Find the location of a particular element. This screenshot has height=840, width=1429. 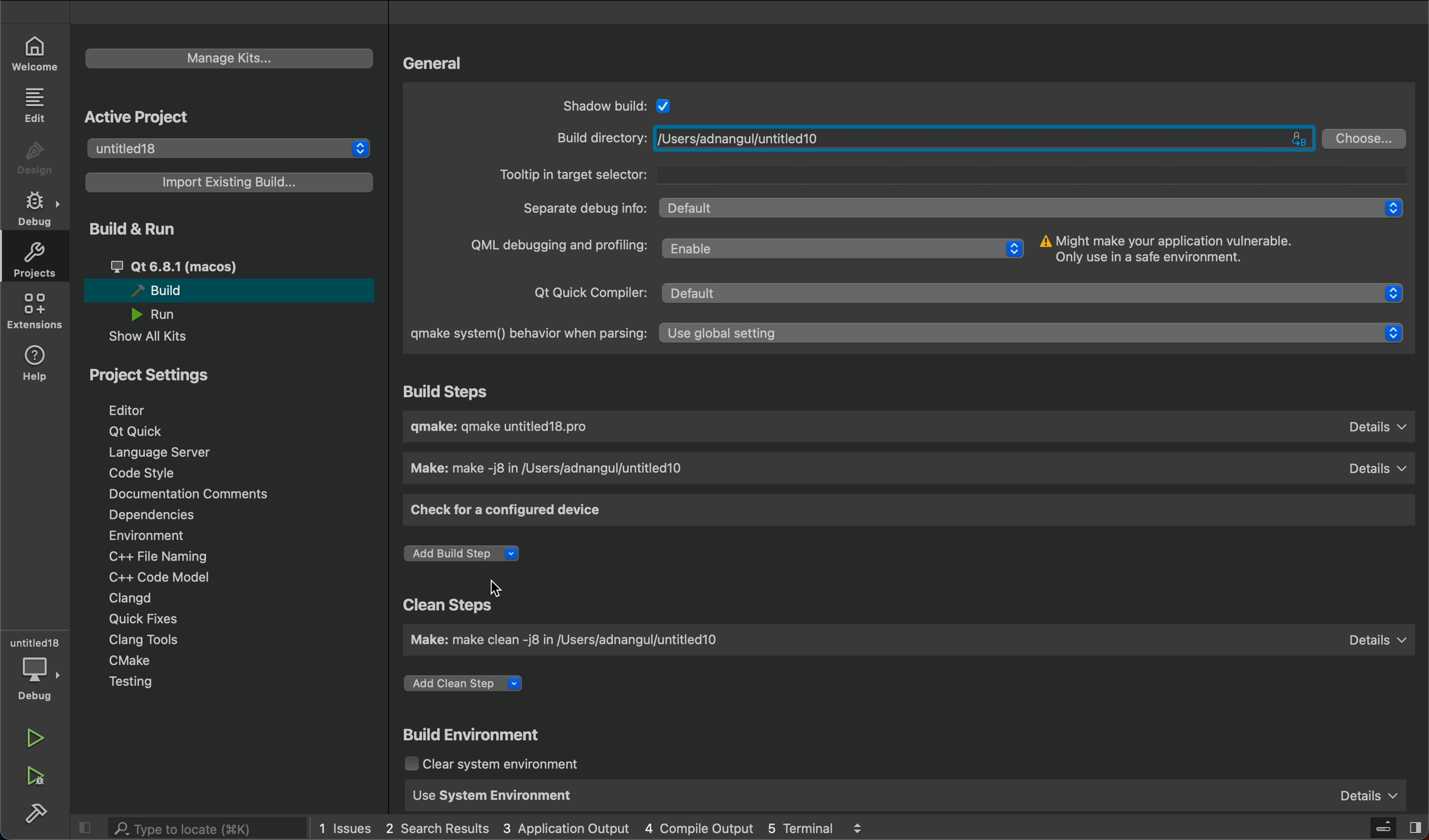

projects is located at coordinates (36, 262).